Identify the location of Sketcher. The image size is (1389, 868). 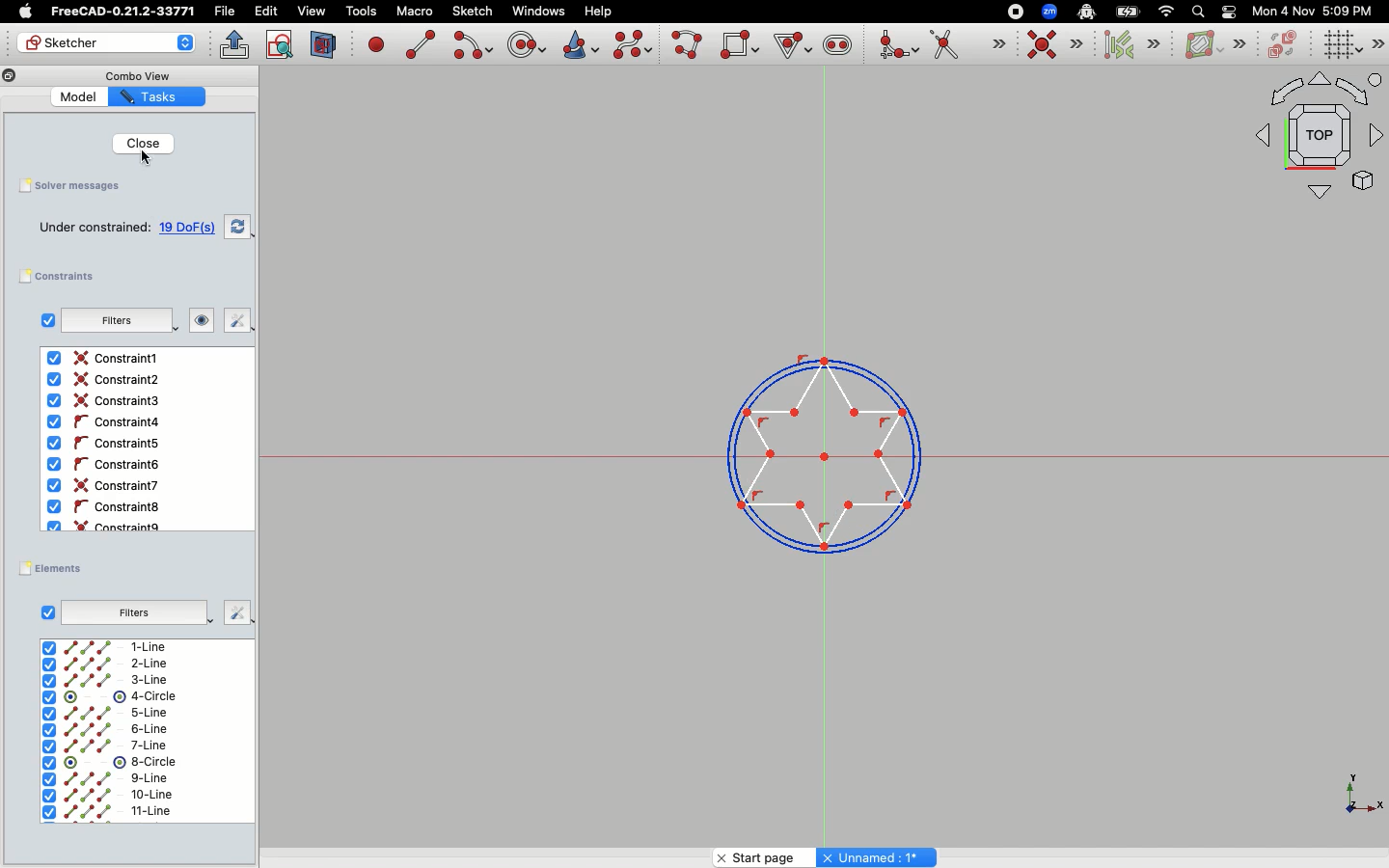
(111, 42).